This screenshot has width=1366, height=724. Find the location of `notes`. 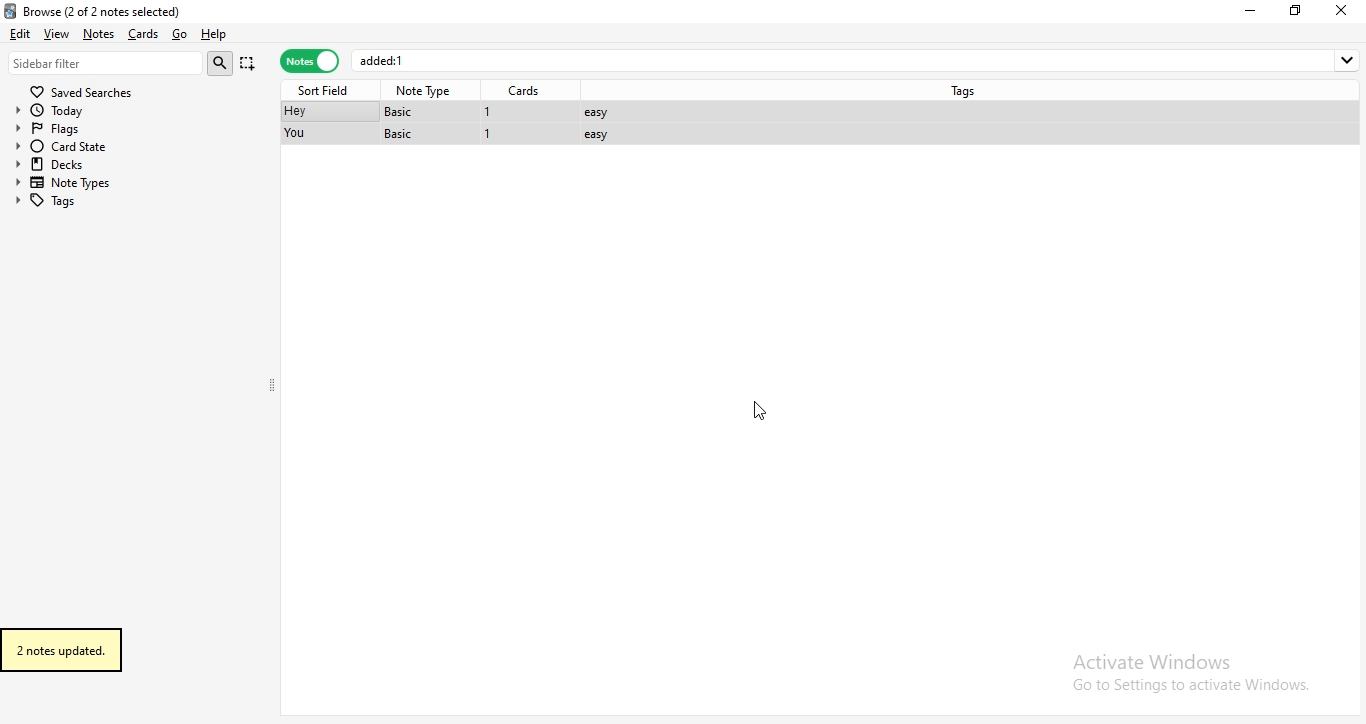

notes is located at coordinates (98, 34).